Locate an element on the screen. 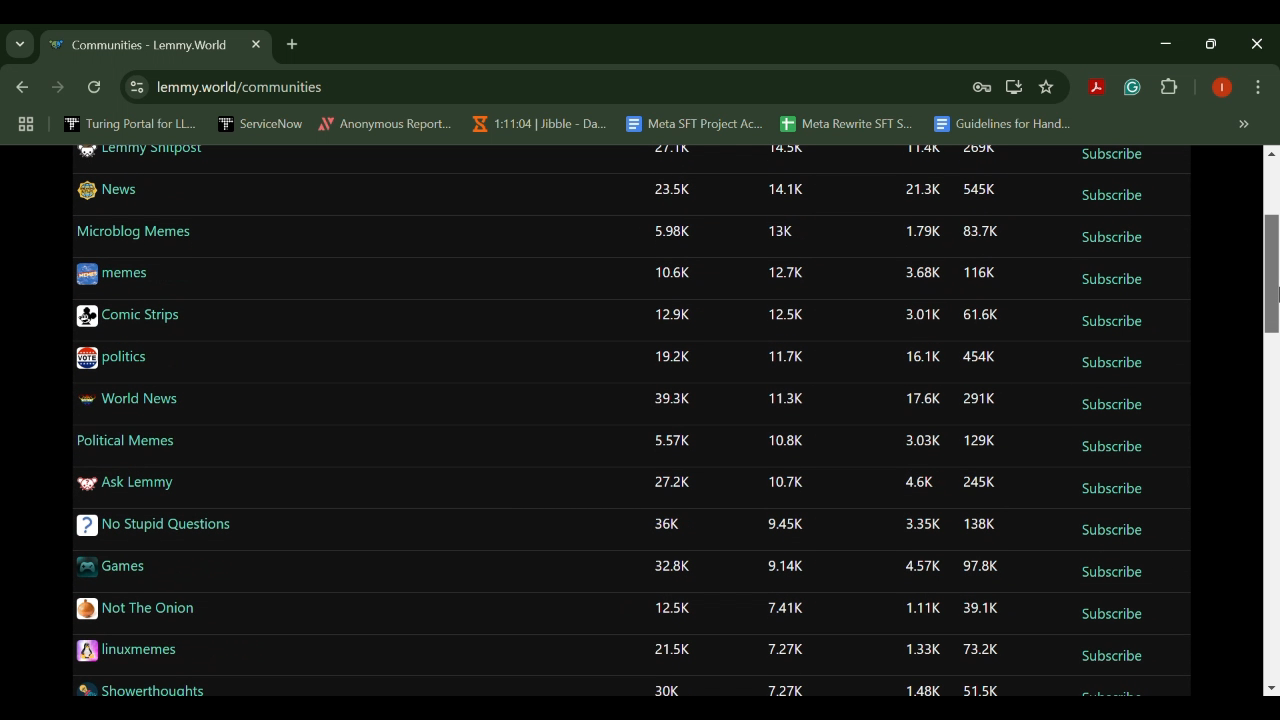  14.1K is located at coordinates (787, 191).